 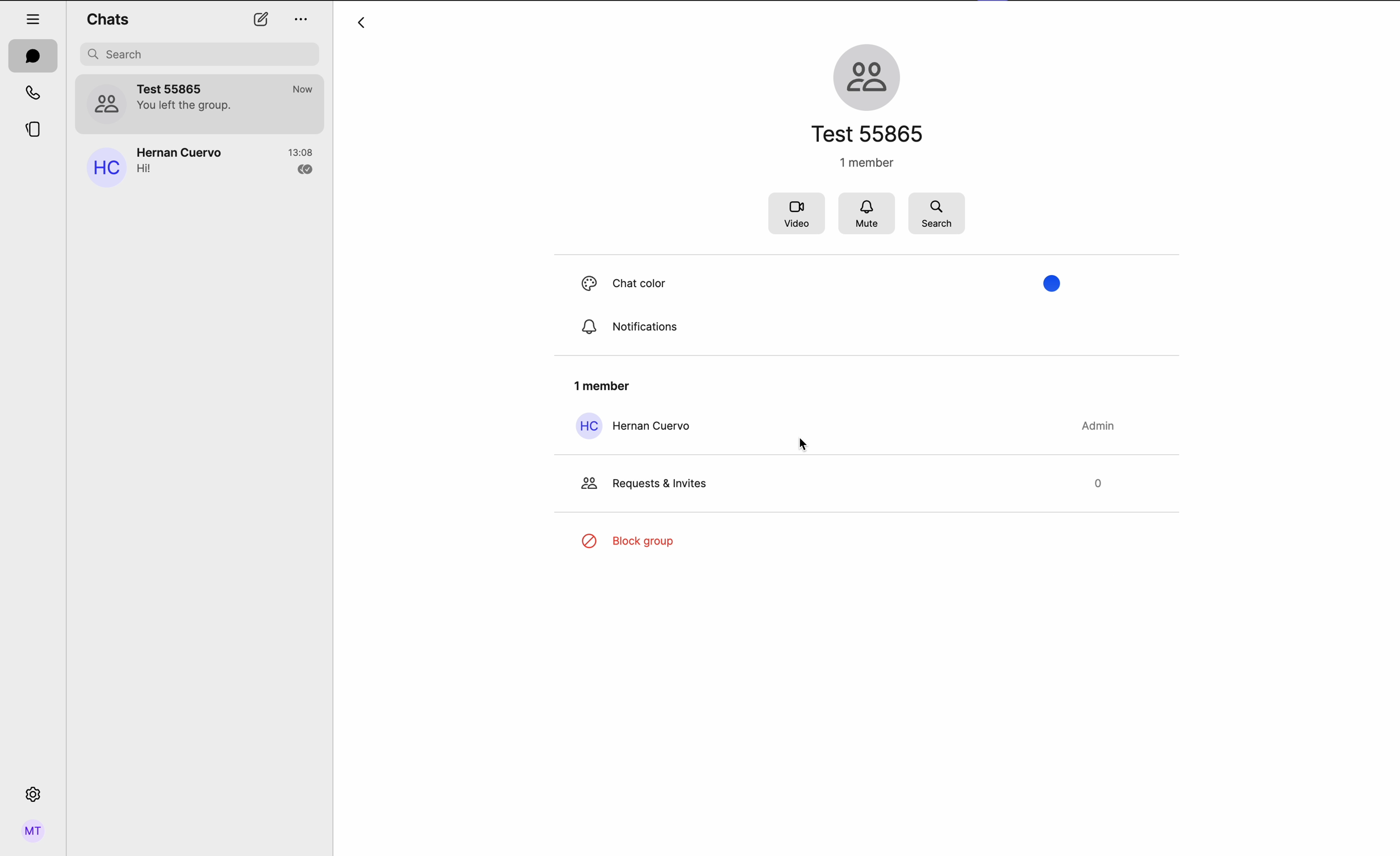 What do you see at coordinates (261, 19) in the screenshot?
I see `new chat` at bounding box center [261, 19].